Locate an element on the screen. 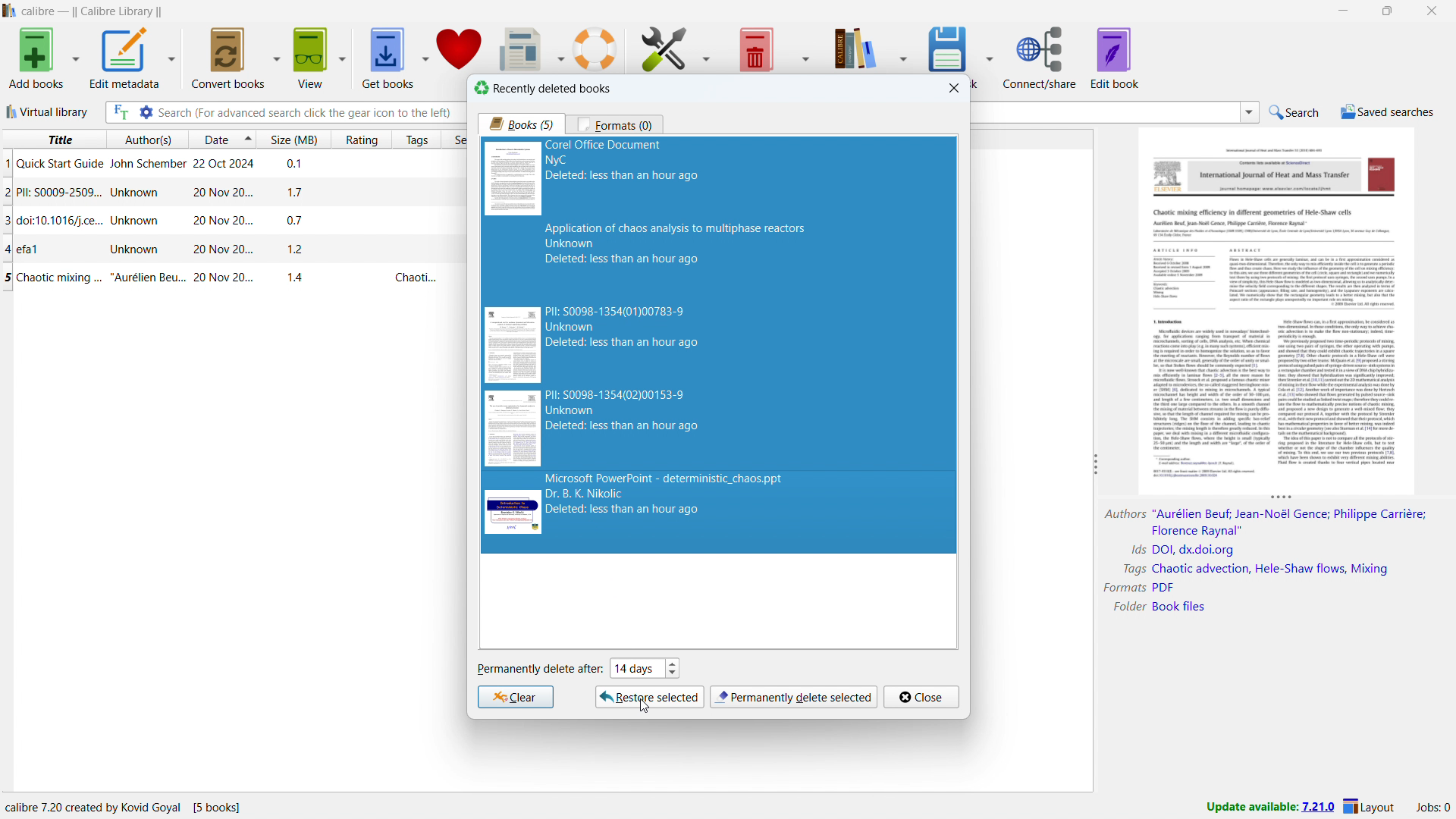 The height and width of the screenshot is (819, 1456). remove books options is located at coordinates (804, 45).